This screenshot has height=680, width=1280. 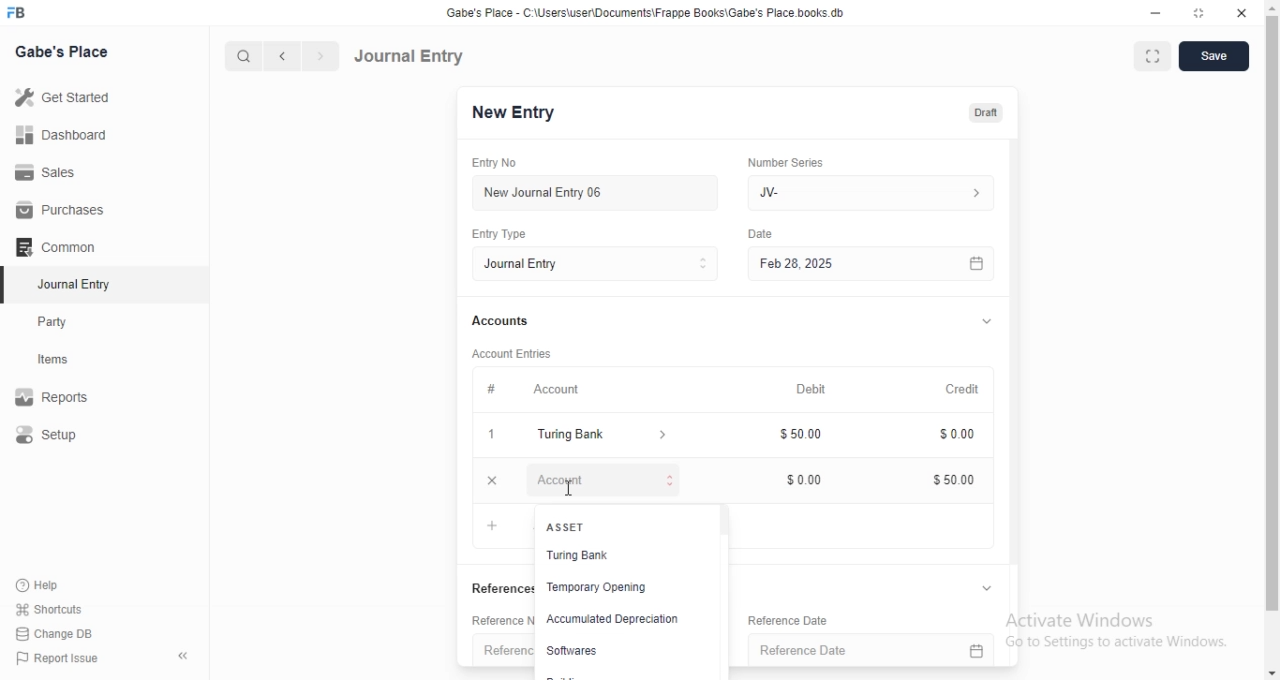 What do you see at coordinates (970, 389) in the screenshot?
I see `Credit` at bounding box center [970, 389].